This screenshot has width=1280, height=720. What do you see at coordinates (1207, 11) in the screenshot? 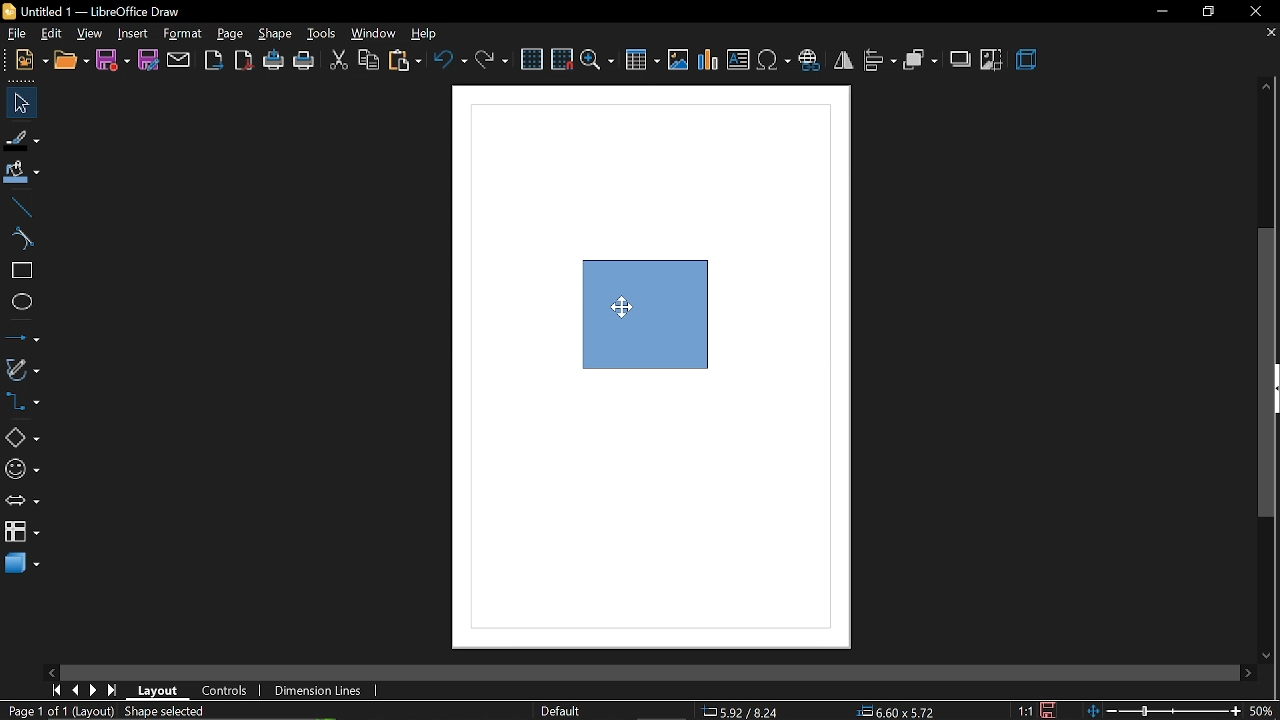
I see `restore down` at bounding box center [1207, 11].